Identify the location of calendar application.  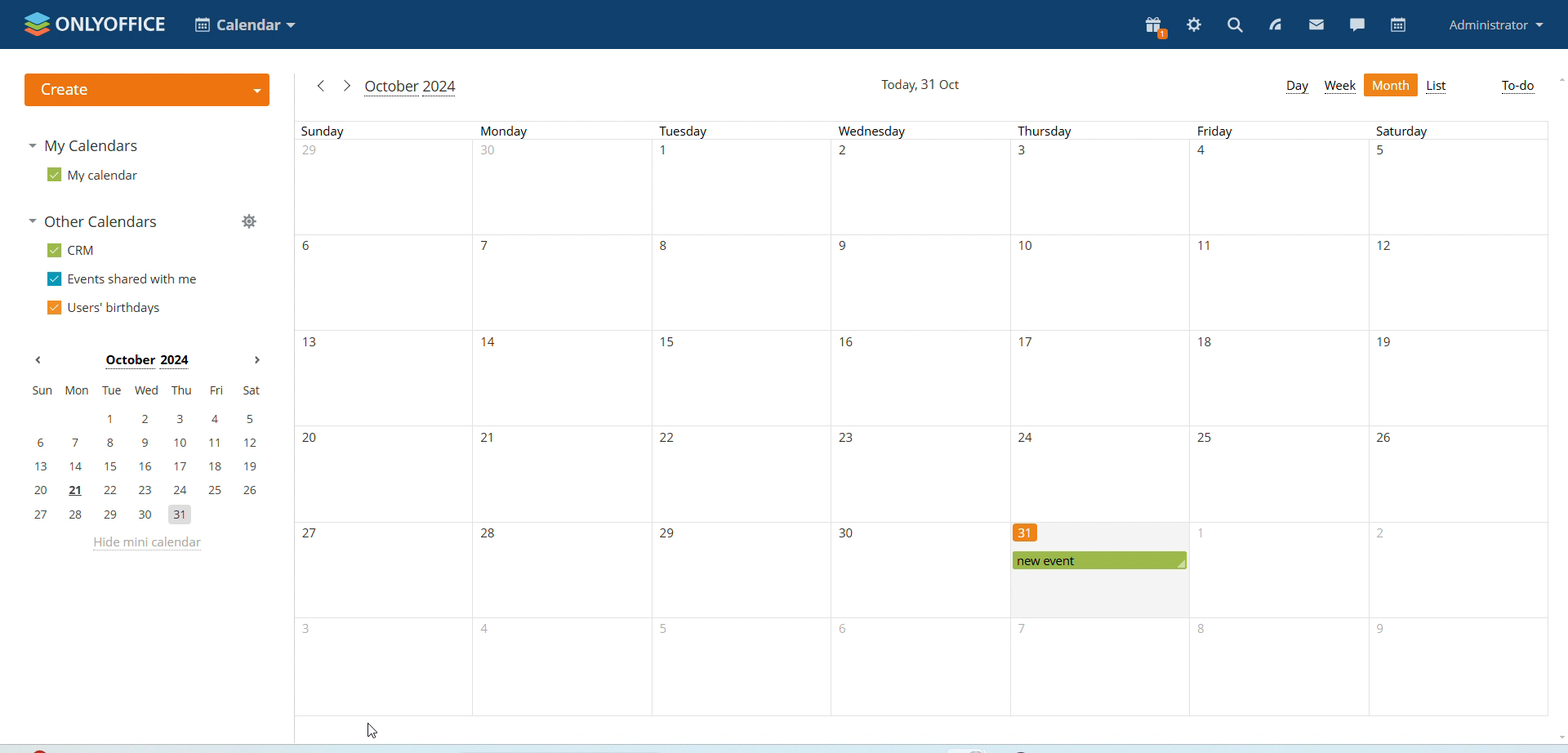
(243, 24).